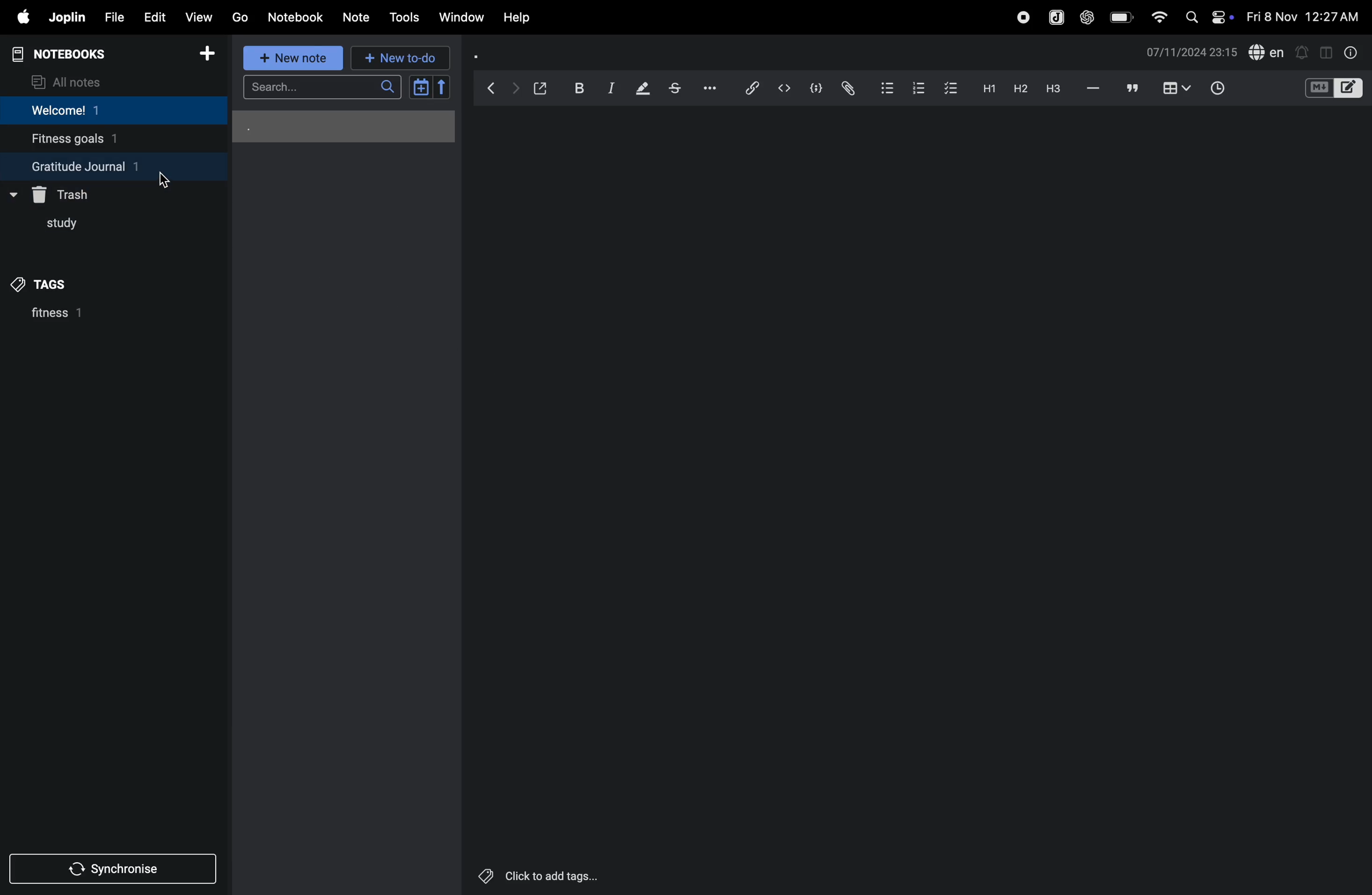 The image size is (1372, 895). Describe the element at coordinates (578, 87) in the screenshot. I see `bold` at that location.